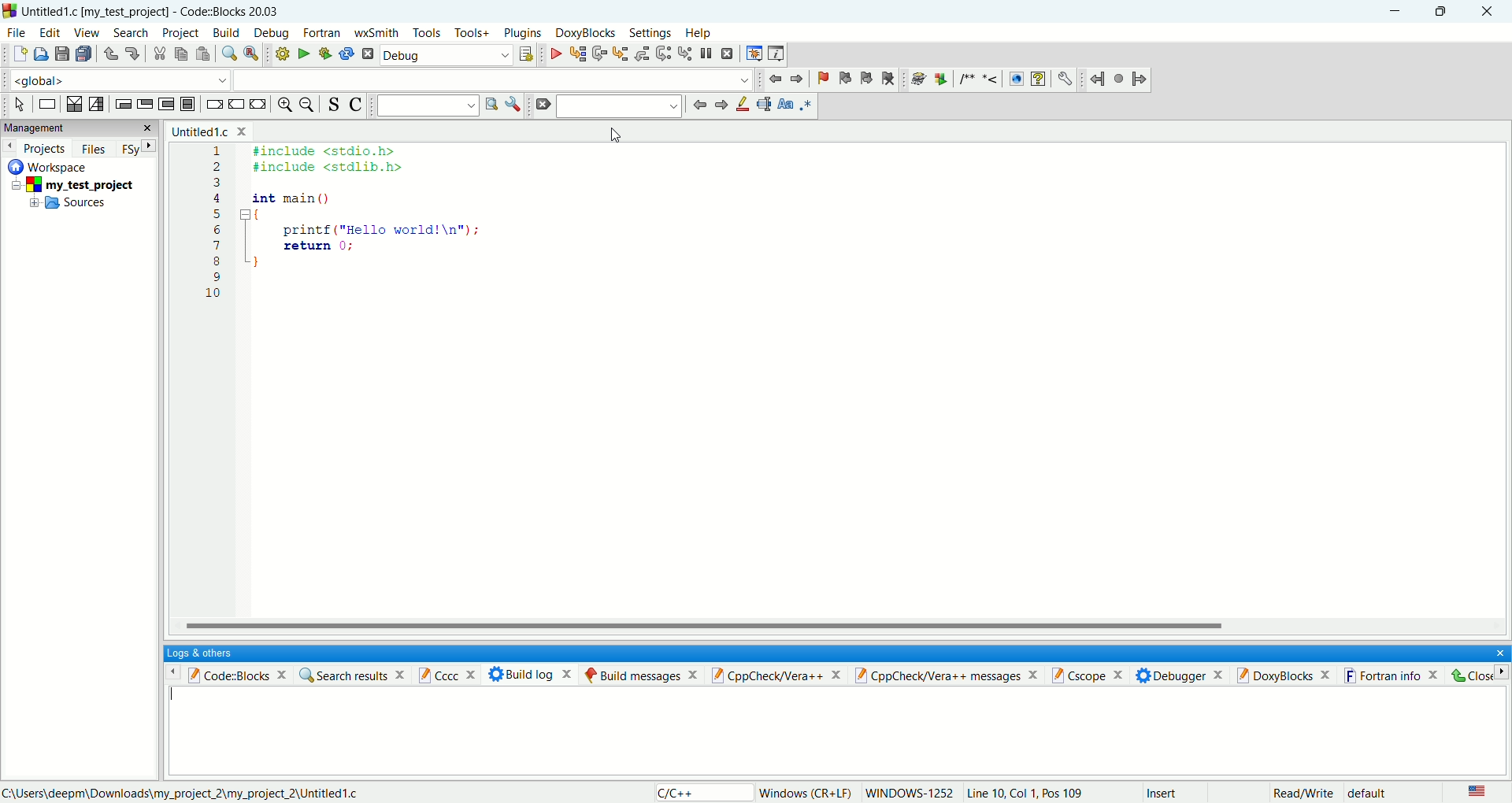  I want to click on elect target dialog, so click(525, 54).